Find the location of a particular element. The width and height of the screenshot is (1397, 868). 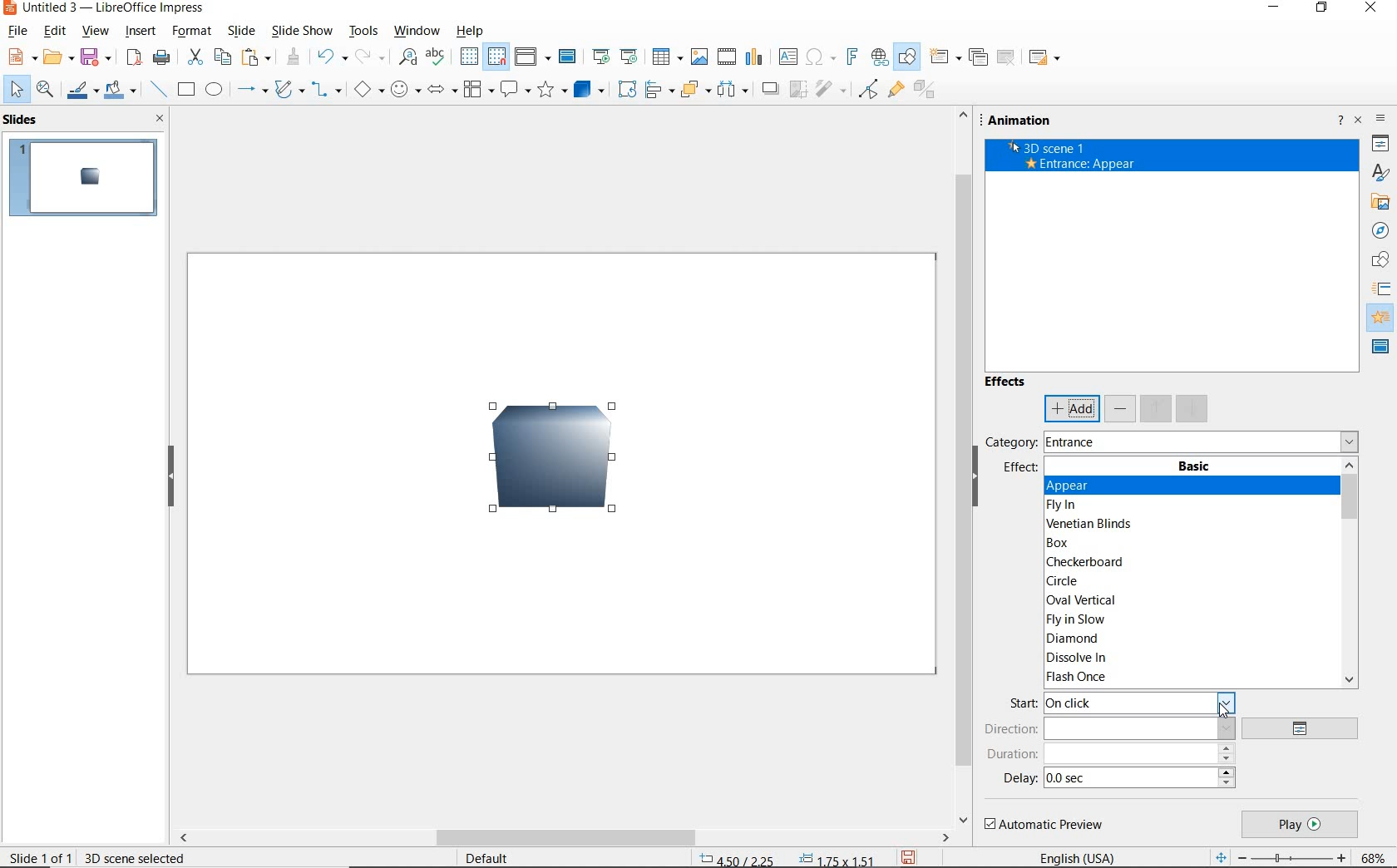

HIDE is located at coordinates (982, 486).